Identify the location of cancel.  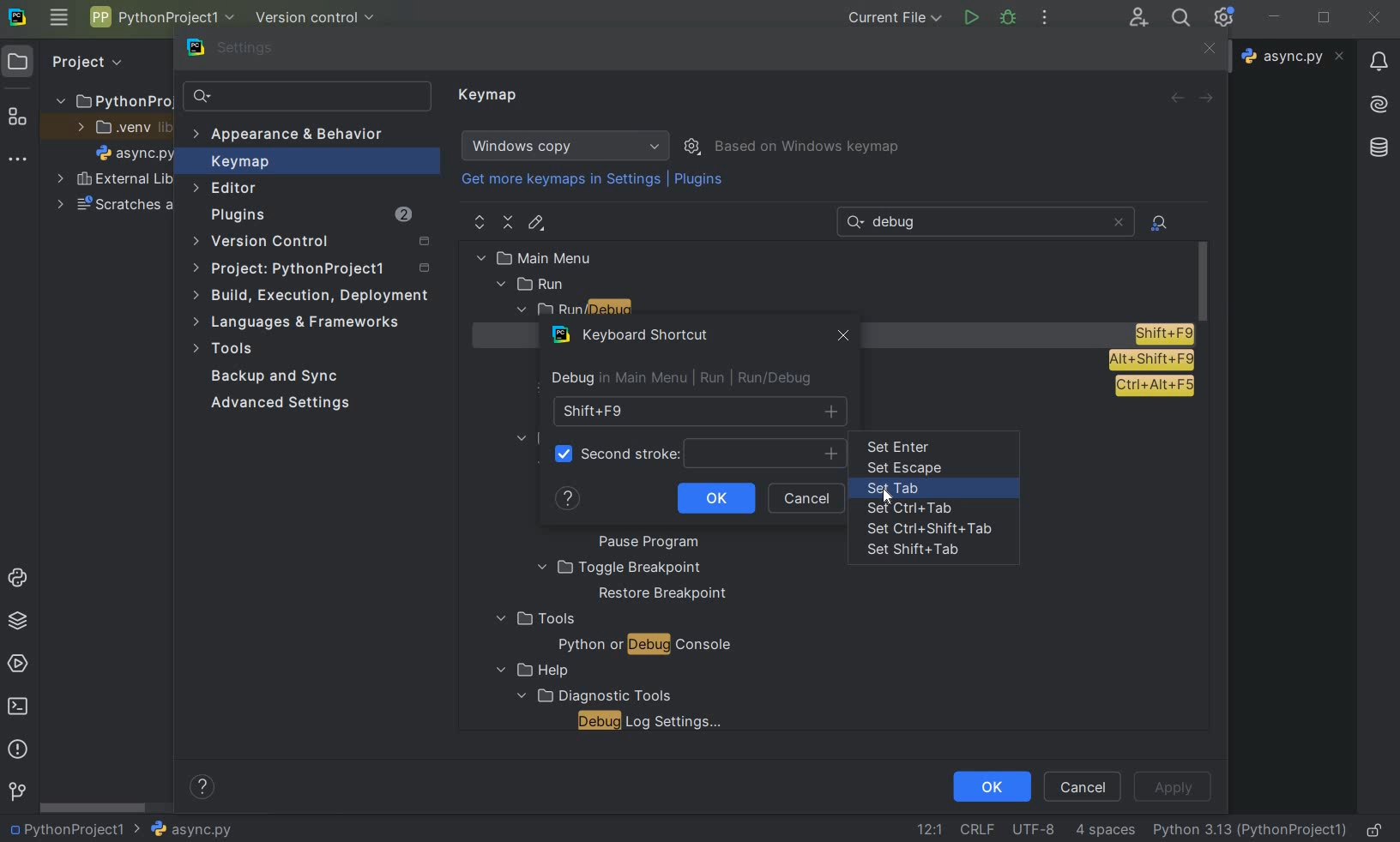
(1083, 785).